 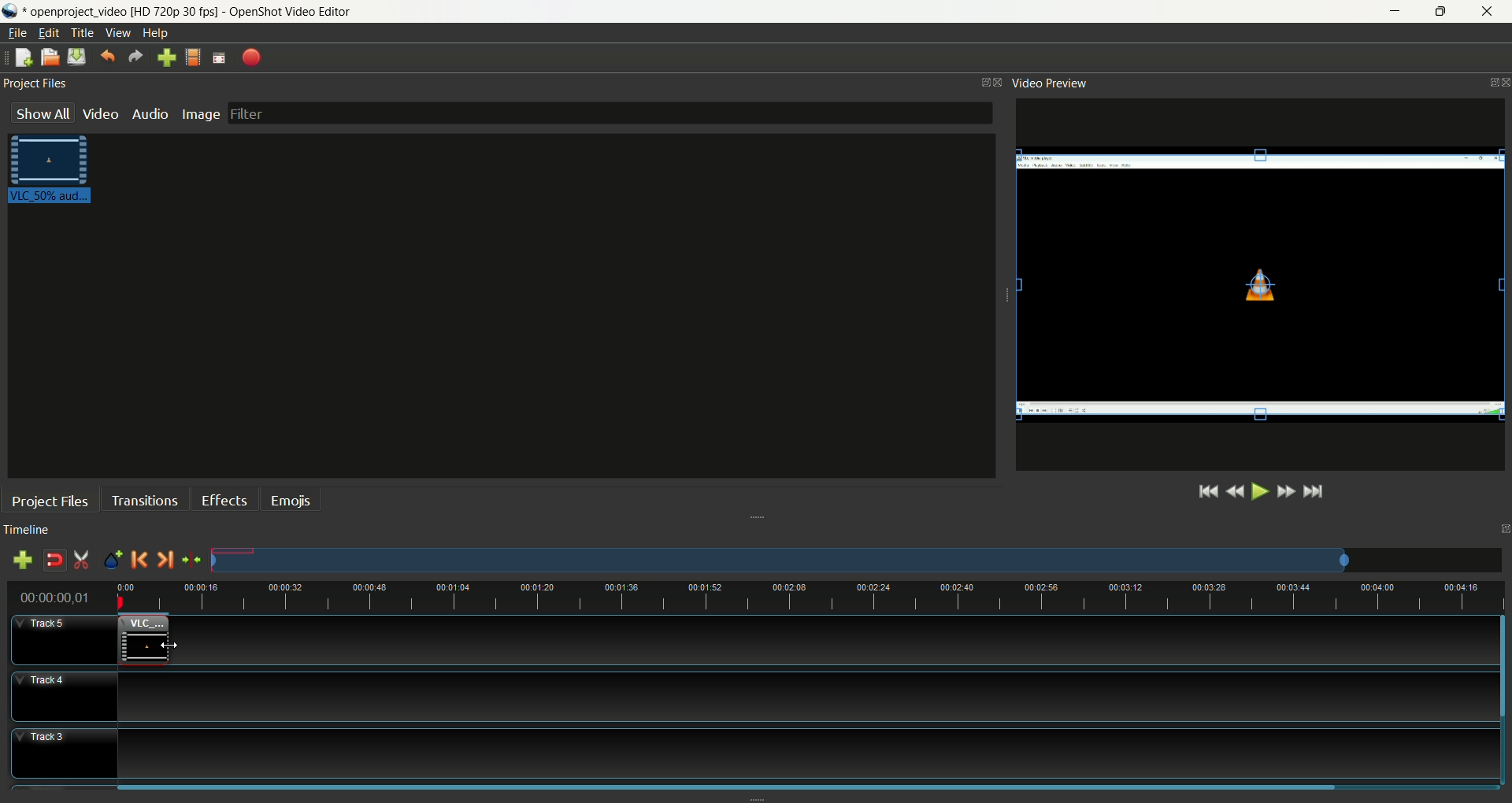 What do you see at coordinates (150, 113) in the screenshot?
I see `audio` at bounding box center [150, 113].